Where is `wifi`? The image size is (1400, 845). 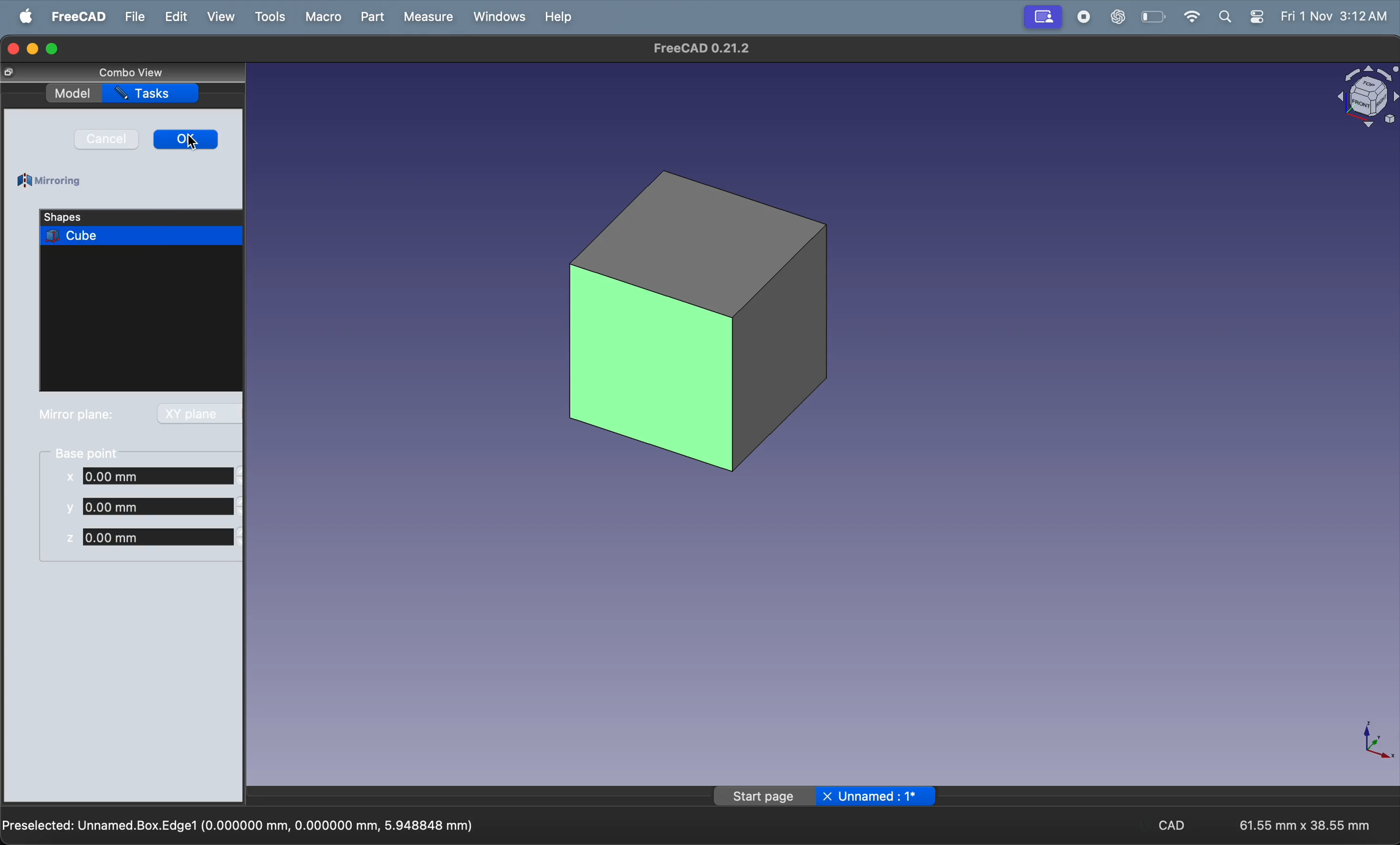
wifi is located at coordinates (1187, 16).